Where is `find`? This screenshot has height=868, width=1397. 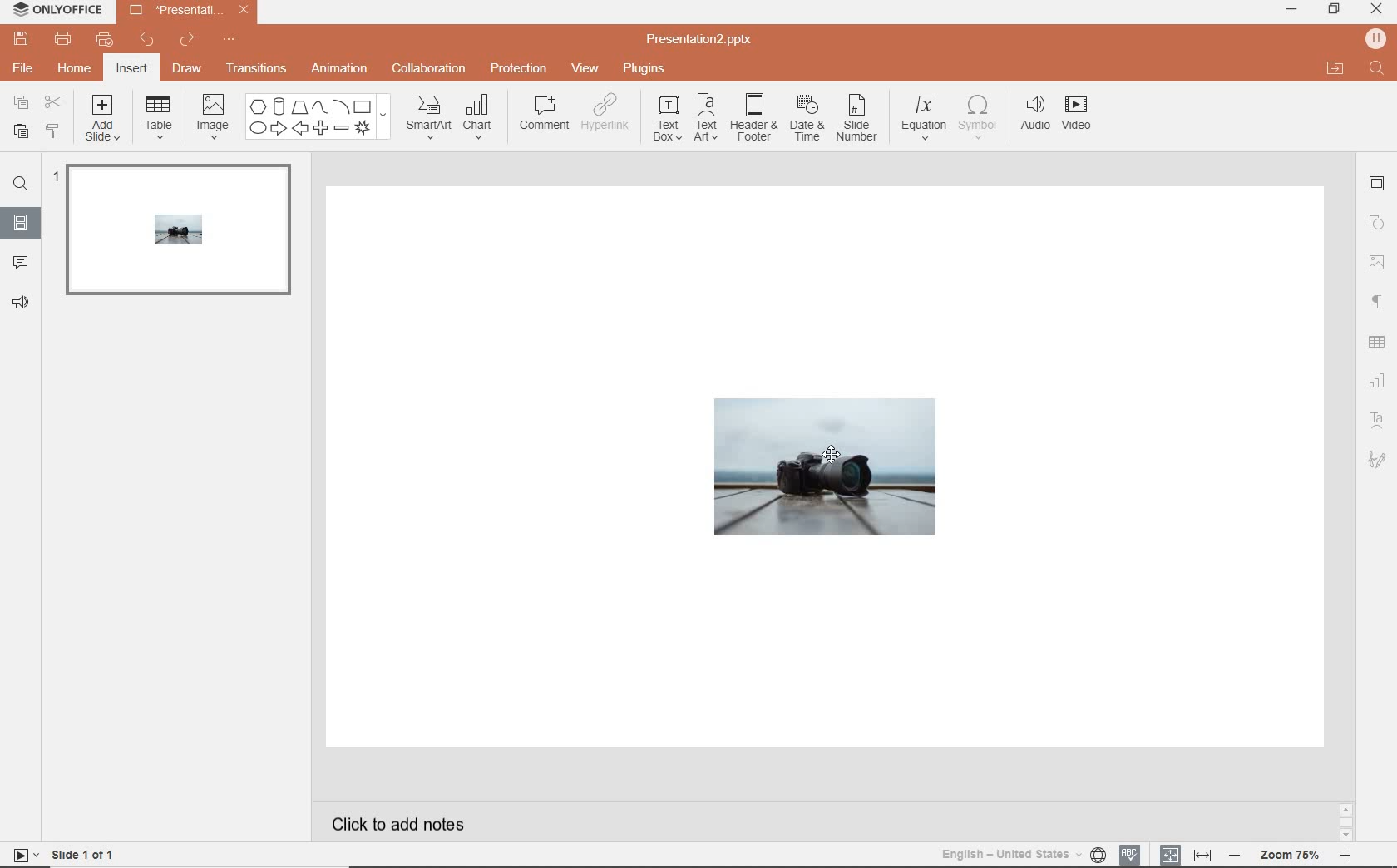
find is located at coordinates (21, 182).